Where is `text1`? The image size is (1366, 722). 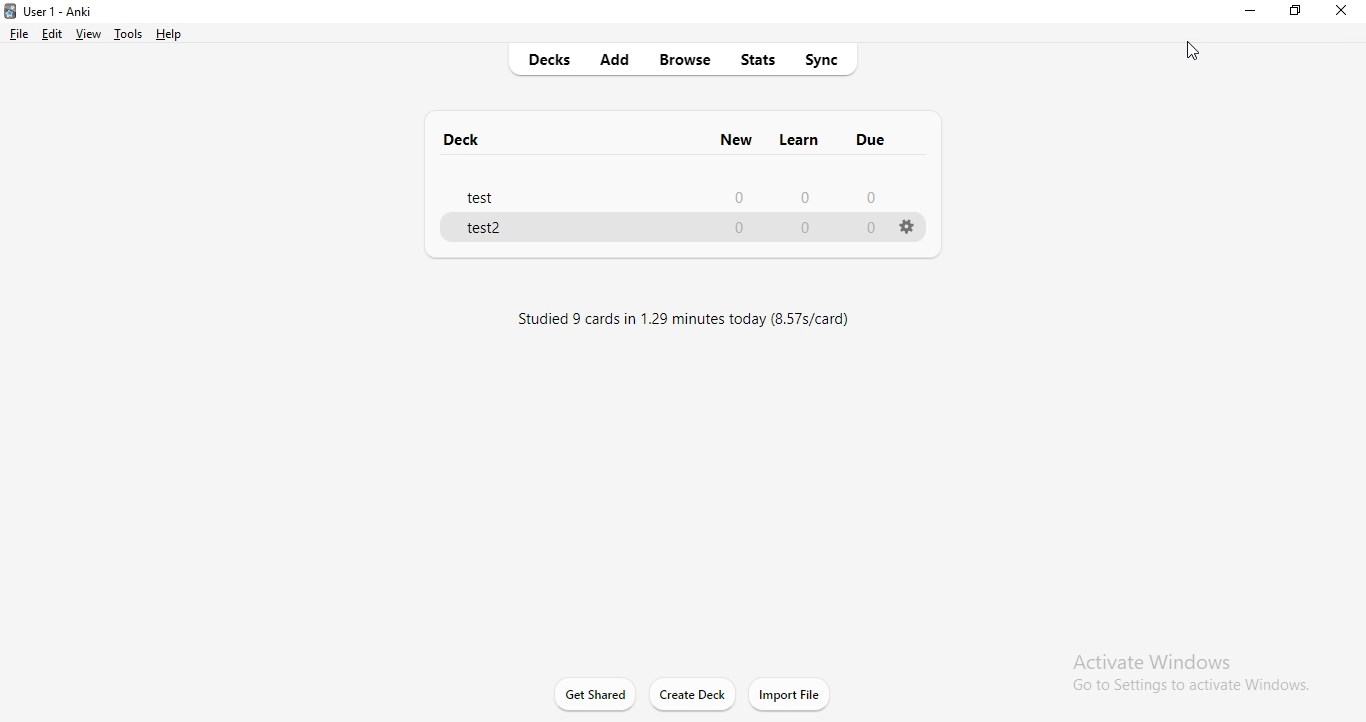 text1 is located at coordinates (702, 324).